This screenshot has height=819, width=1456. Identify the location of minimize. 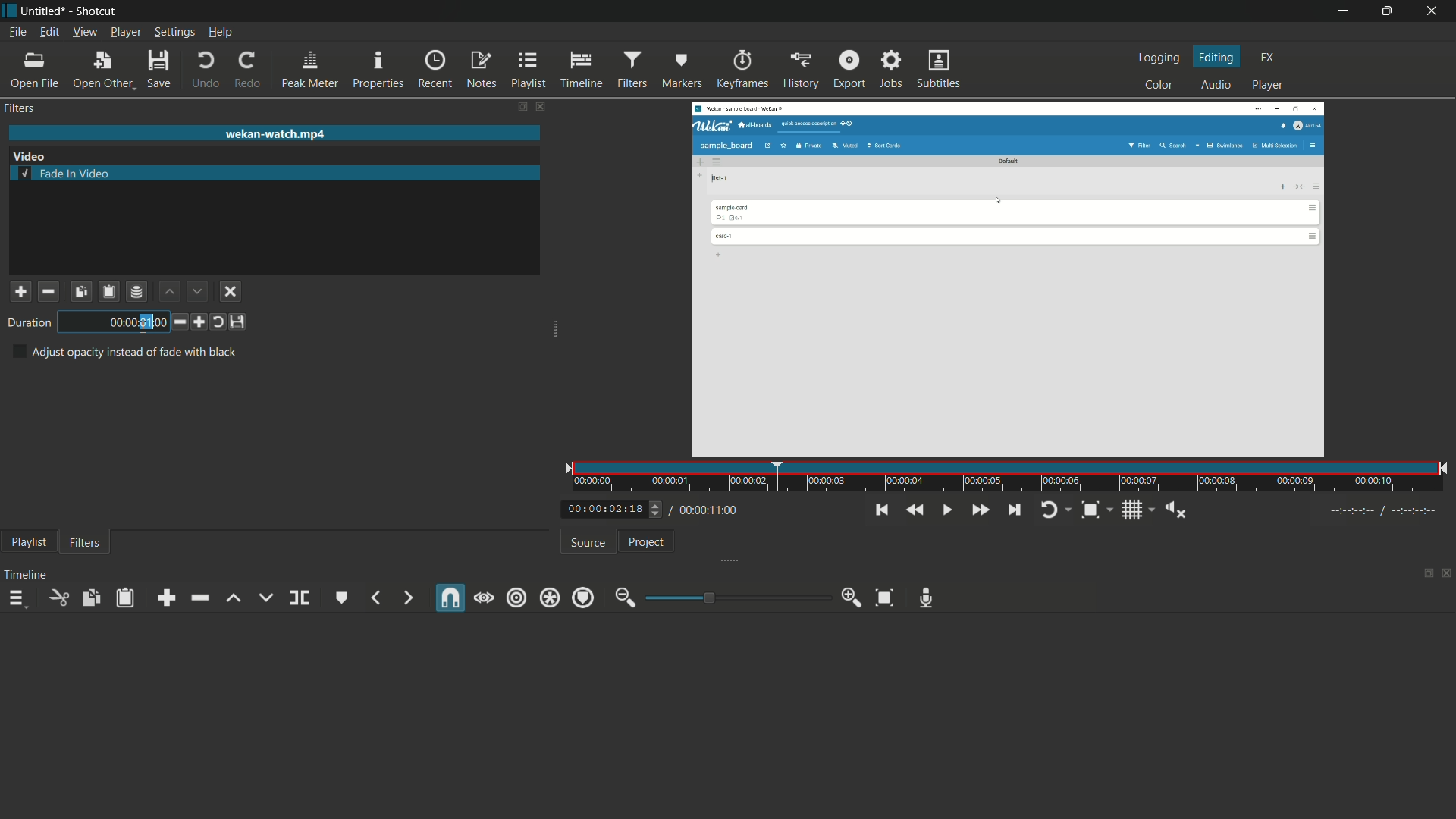
(1346, 11).